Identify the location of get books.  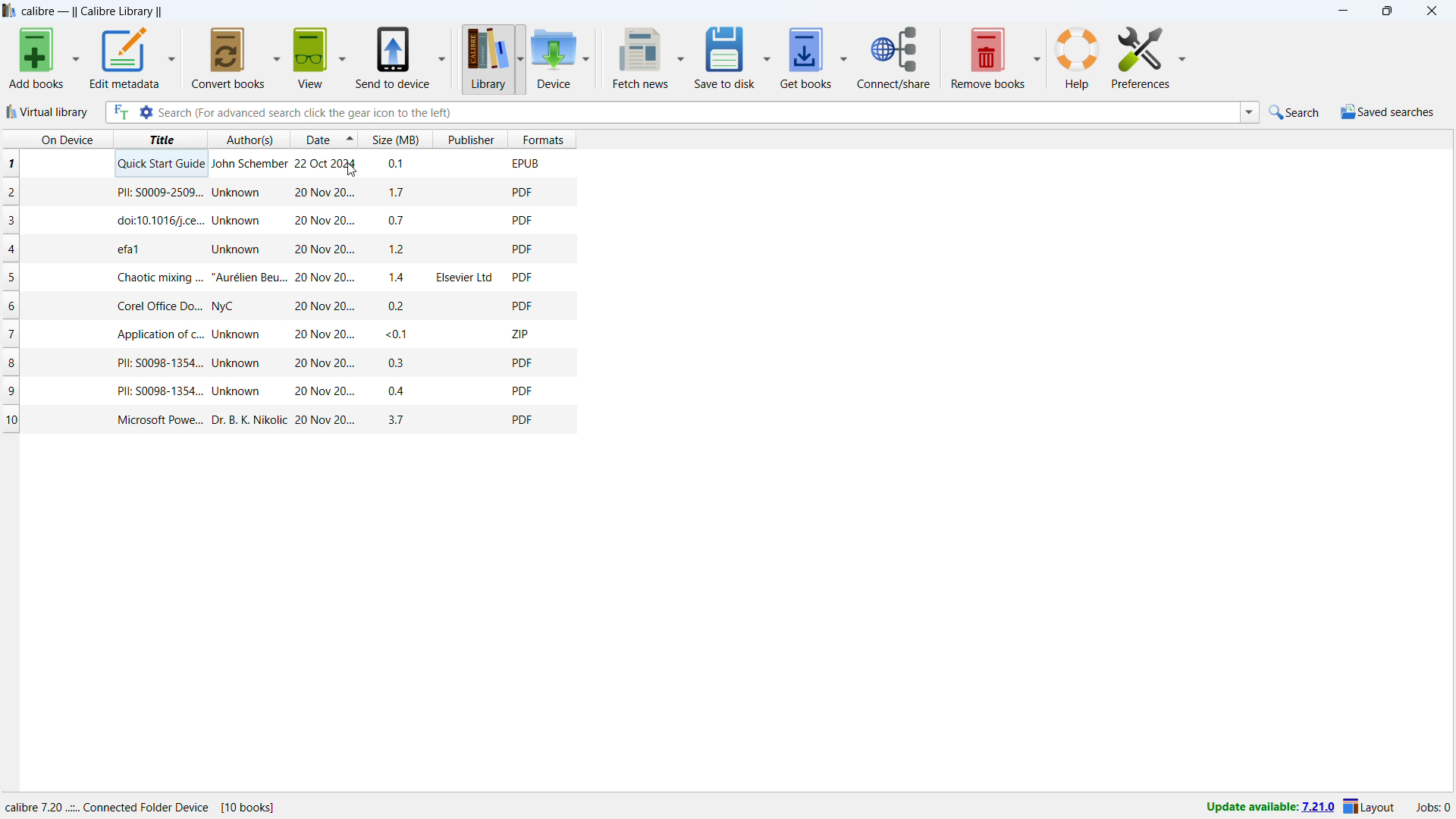
(805, 58).